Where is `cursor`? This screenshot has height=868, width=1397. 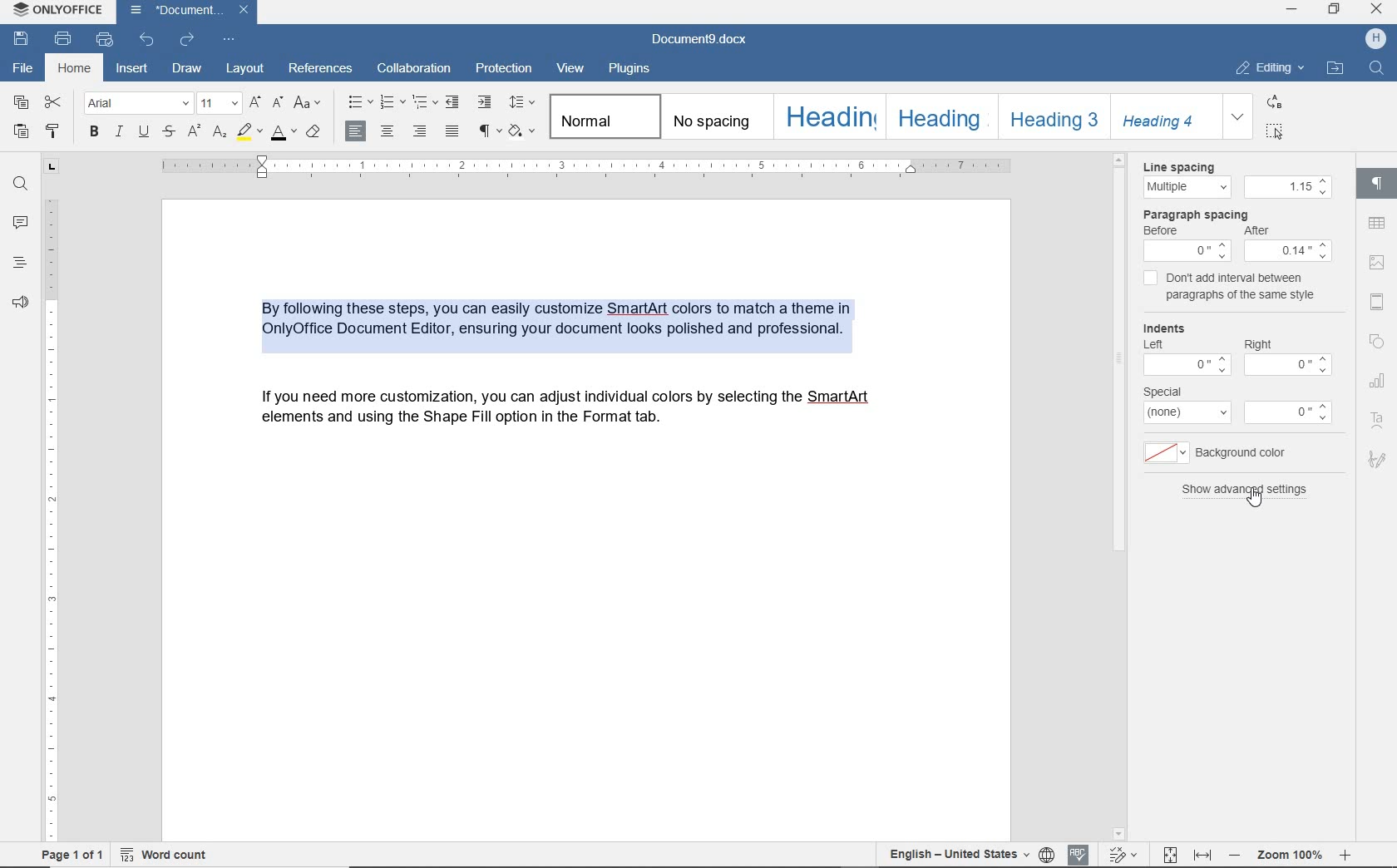
cursor is located at coordinates (1267, 509).